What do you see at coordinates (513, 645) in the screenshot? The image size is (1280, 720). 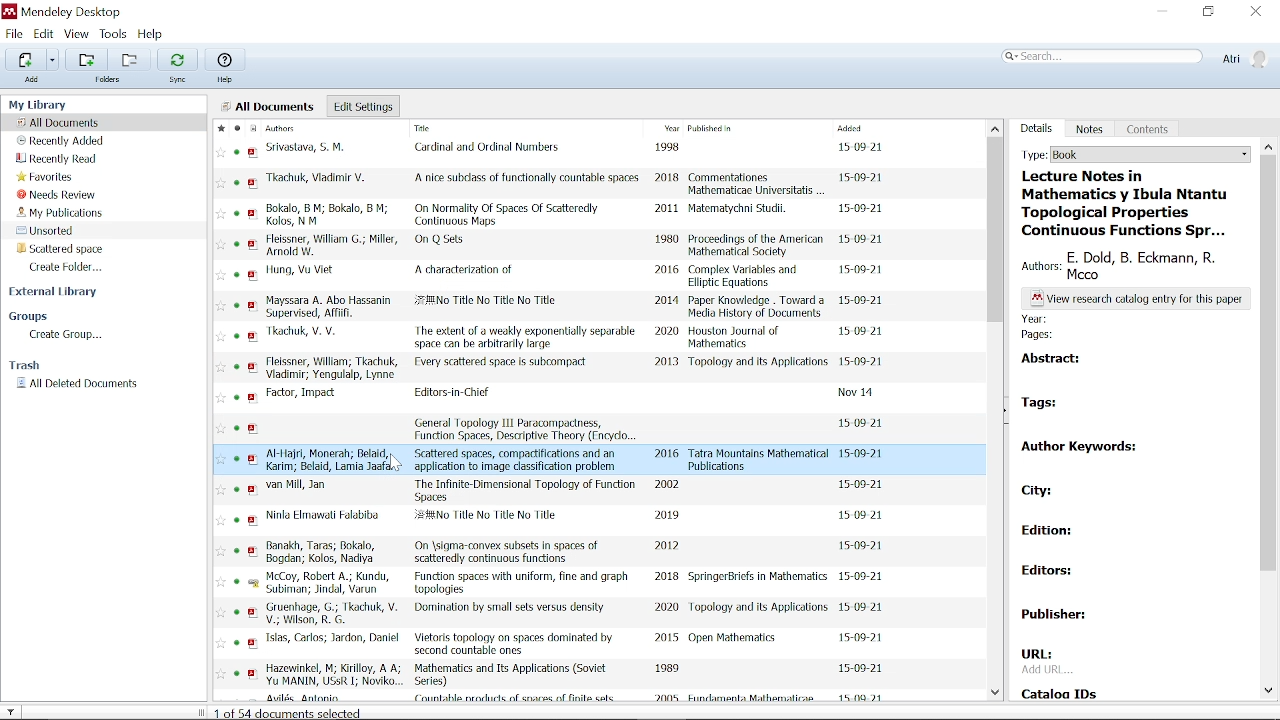 I see `title` at bounding box center [513, 645].